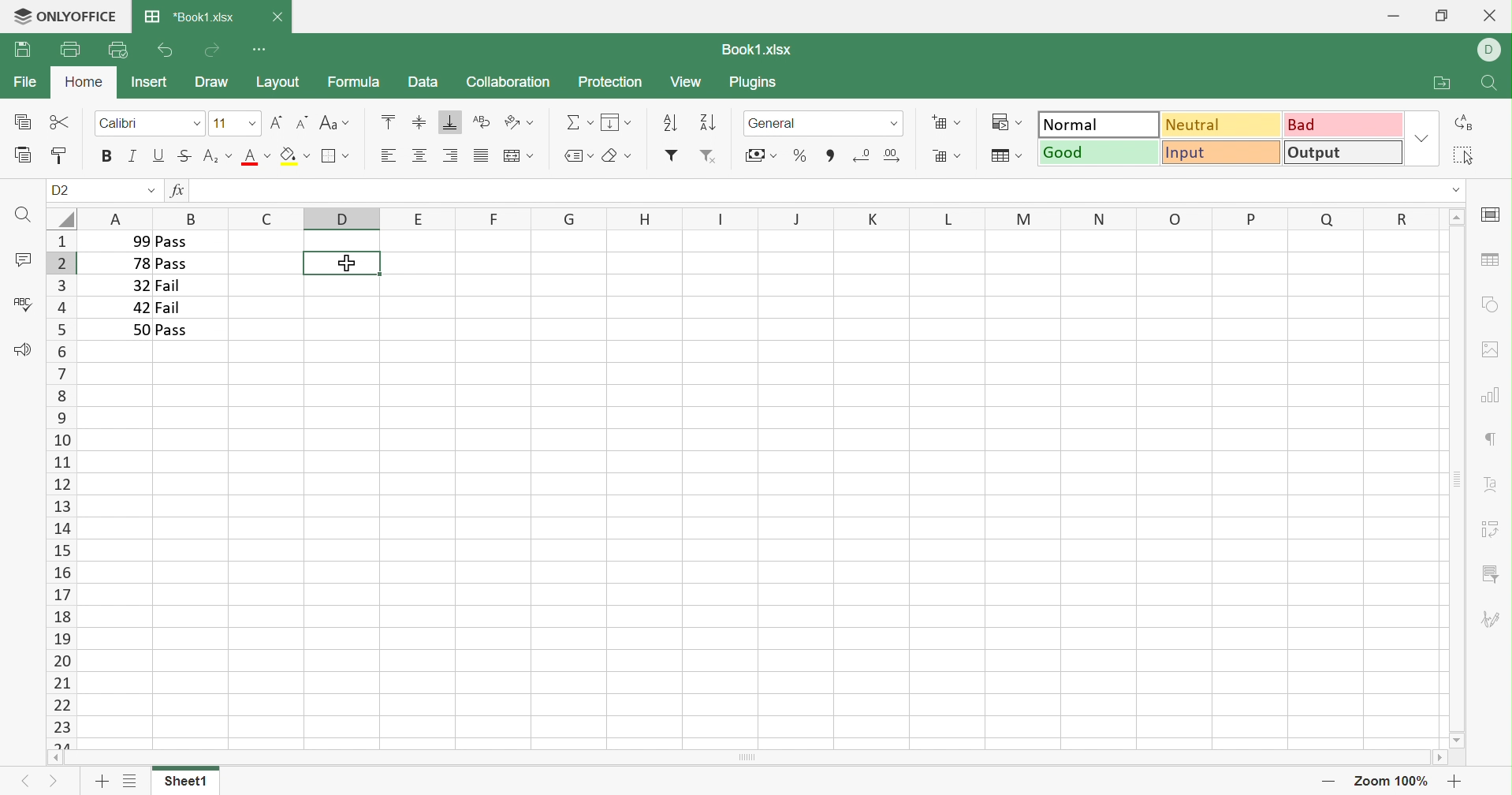 The height and width of the screenshot is (795, 1512). I want to click on Cursor, so click(345, 262).